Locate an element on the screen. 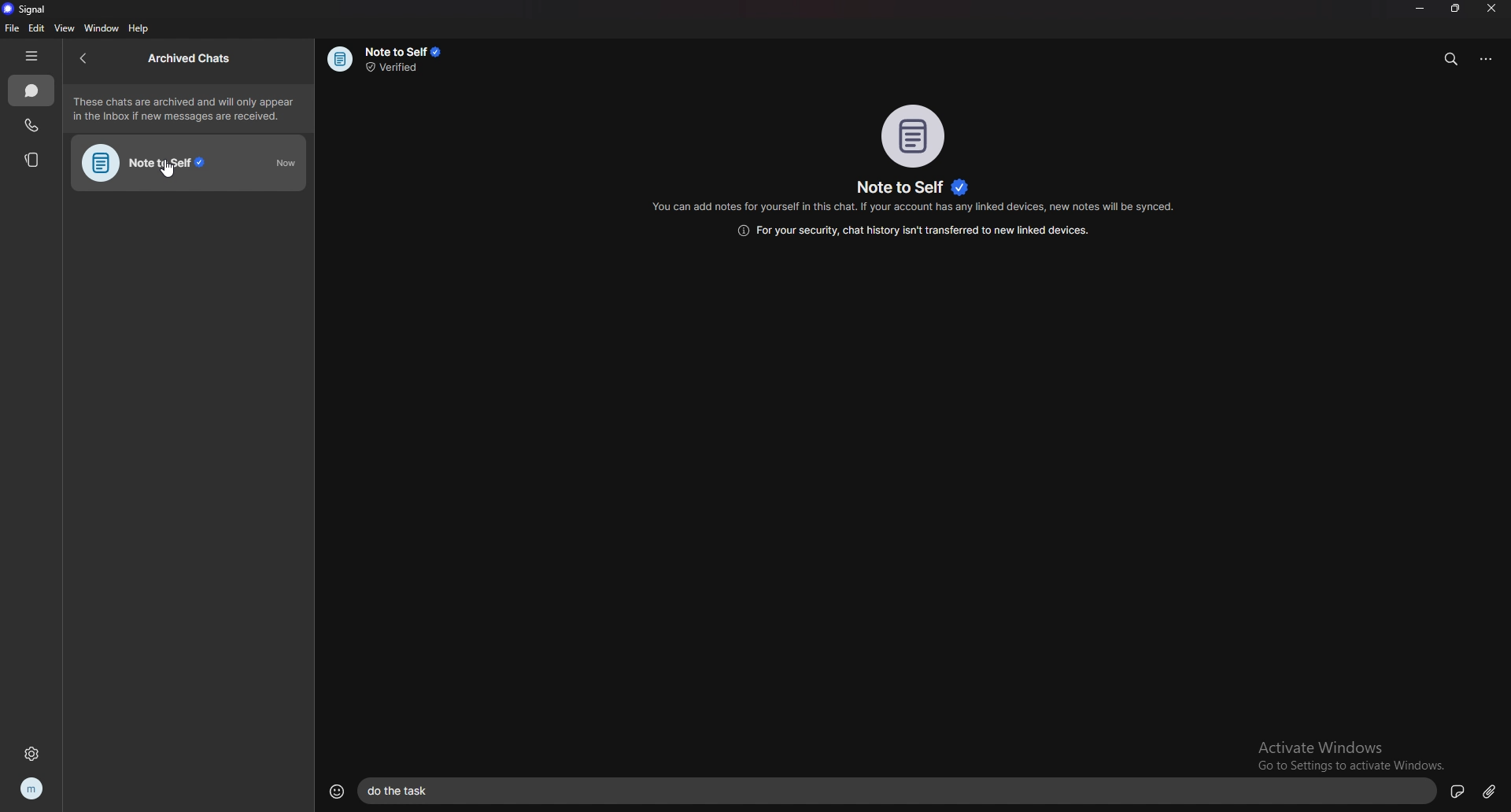  calls is located at coordinates (32, 125).